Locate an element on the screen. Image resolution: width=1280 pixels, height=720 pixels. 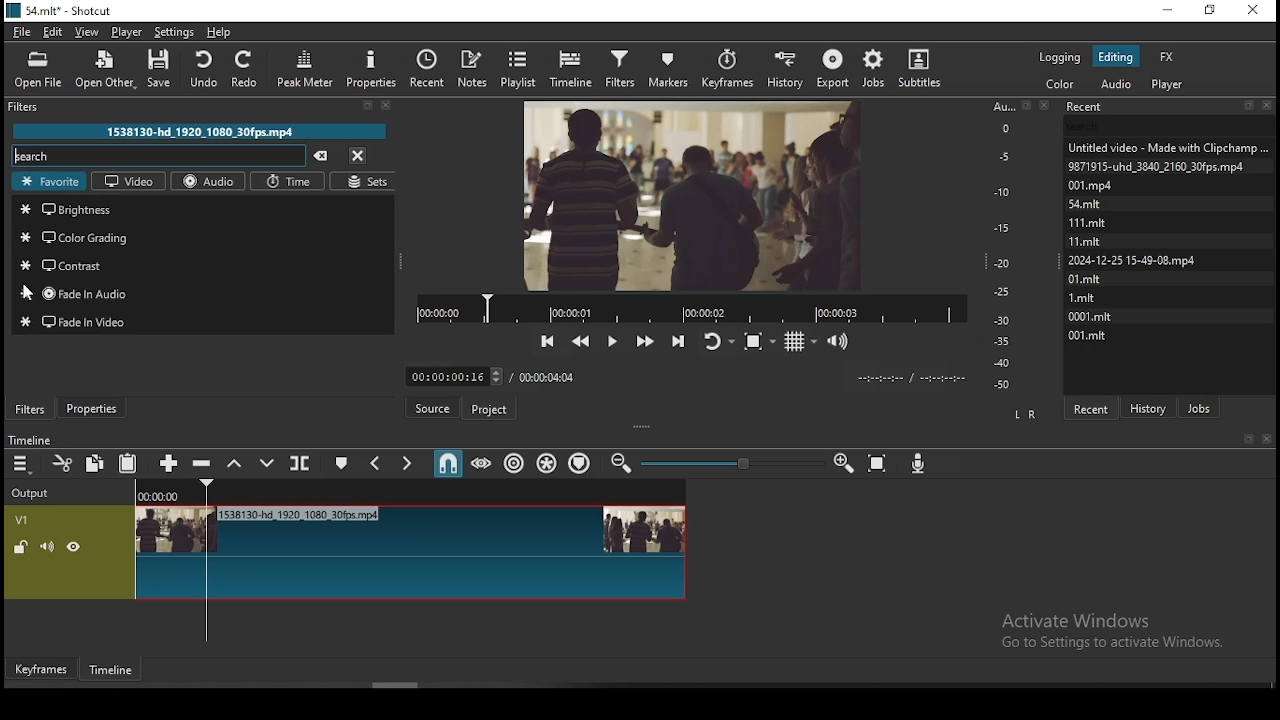
cursor is located at coordinates (29, 293).